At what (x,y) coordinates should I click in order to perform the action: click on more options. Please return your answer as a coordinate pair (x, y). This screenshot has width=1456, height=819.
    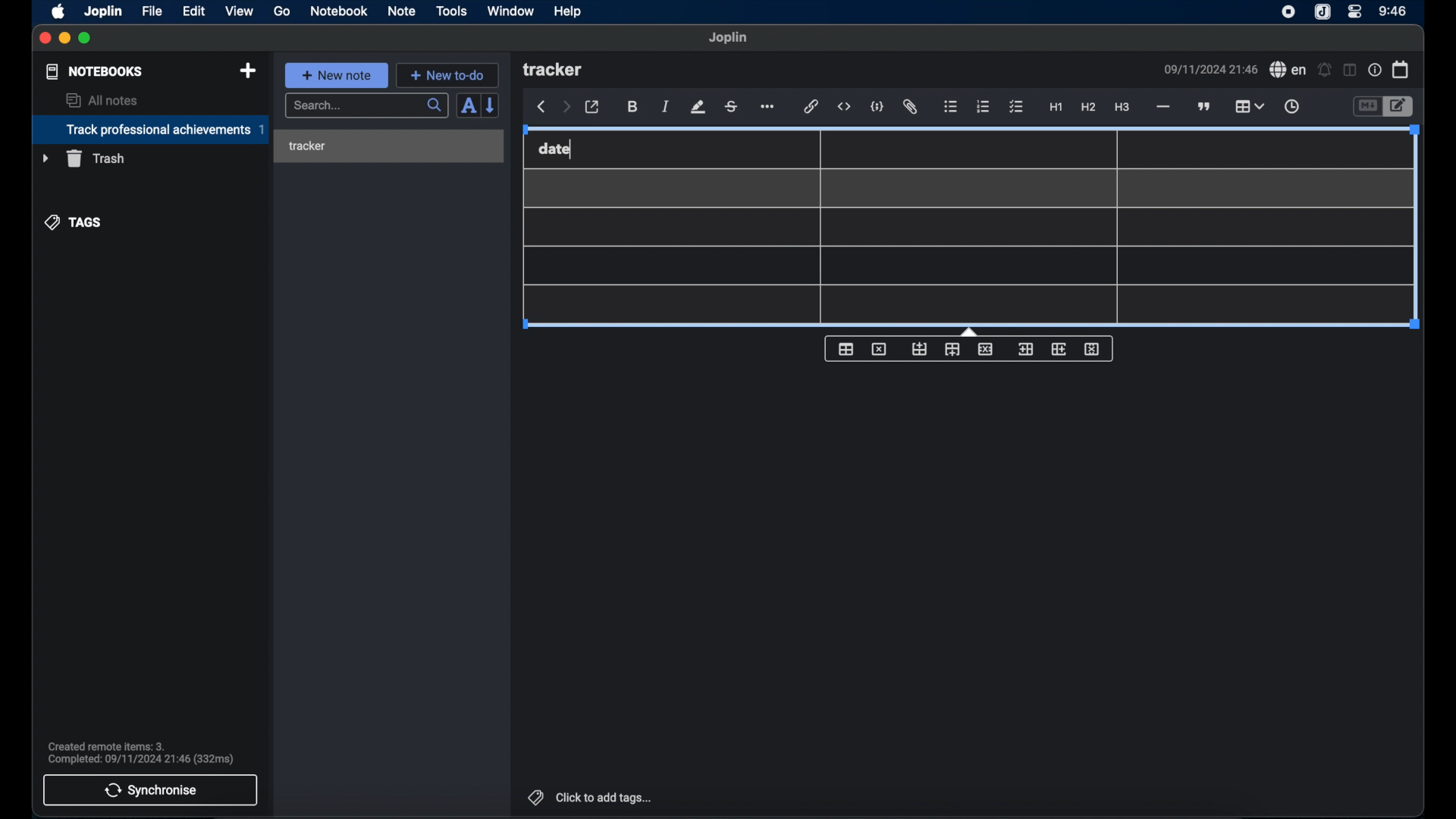
    Looking at the image, I should click on (769, 107).